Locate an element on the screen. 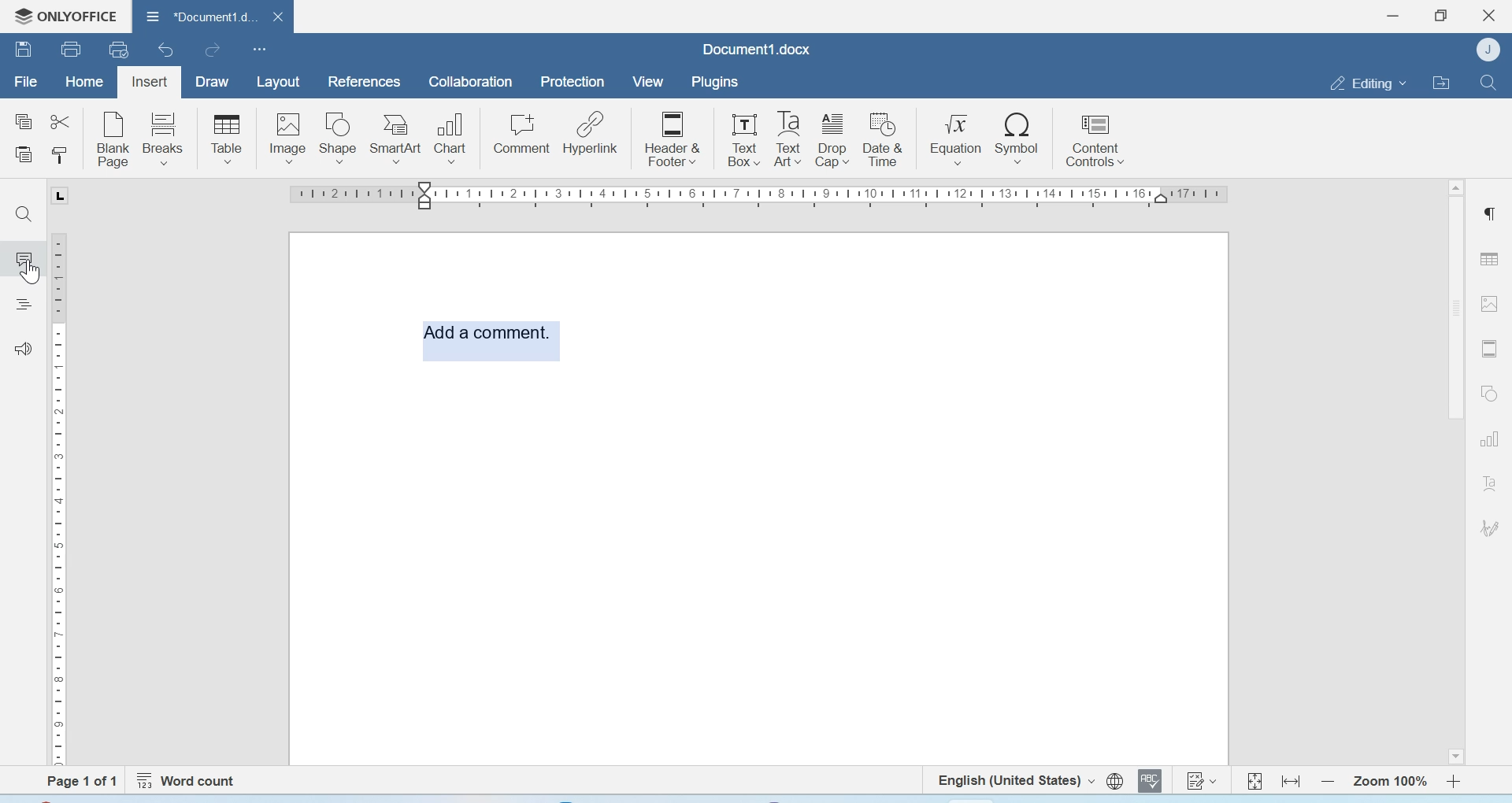 The width and height of the screenshot is (1512, 803). Save is located at coordinates (23, 48).